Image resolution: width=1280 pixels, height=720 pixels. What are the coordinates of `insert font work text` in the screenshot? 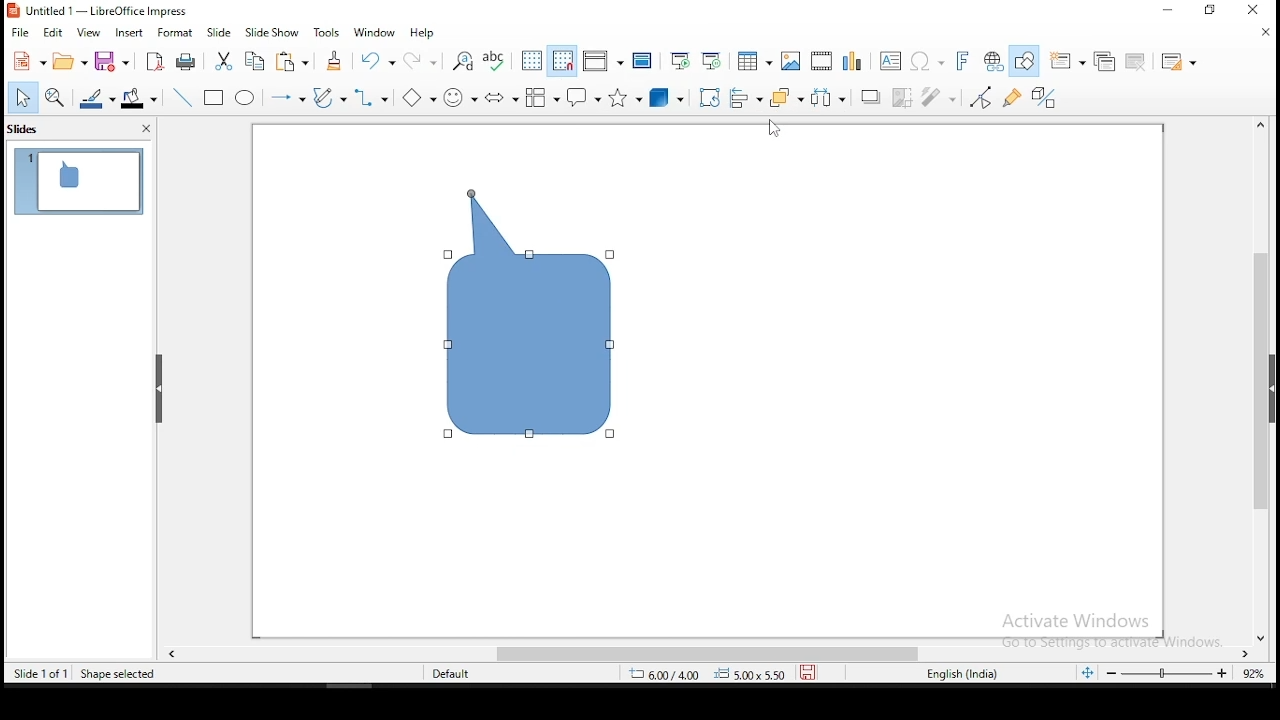 It's located at (963, 60).